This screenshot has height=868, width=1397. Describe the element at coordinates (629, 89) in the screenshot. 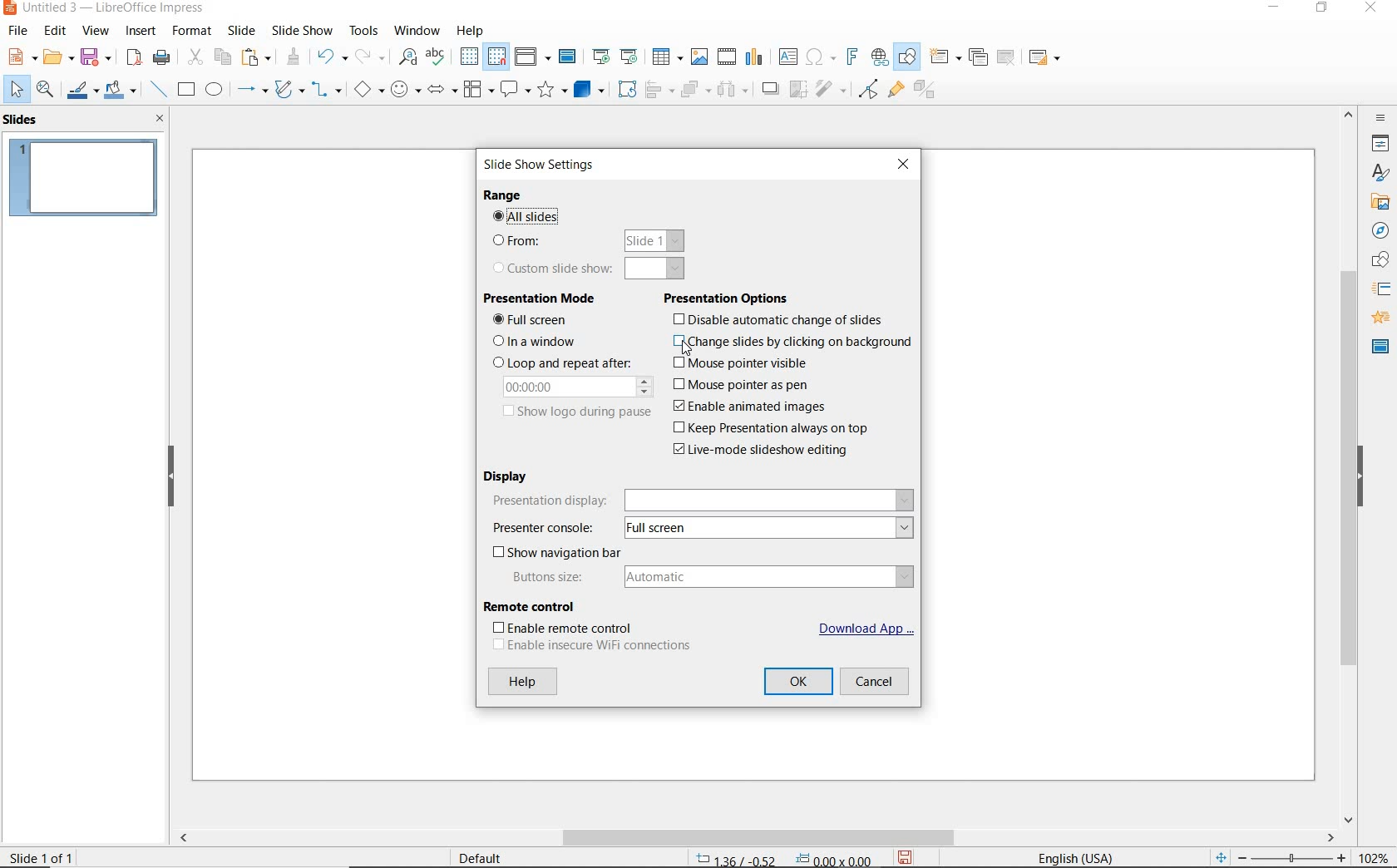

I see `ROTATE` at that location.